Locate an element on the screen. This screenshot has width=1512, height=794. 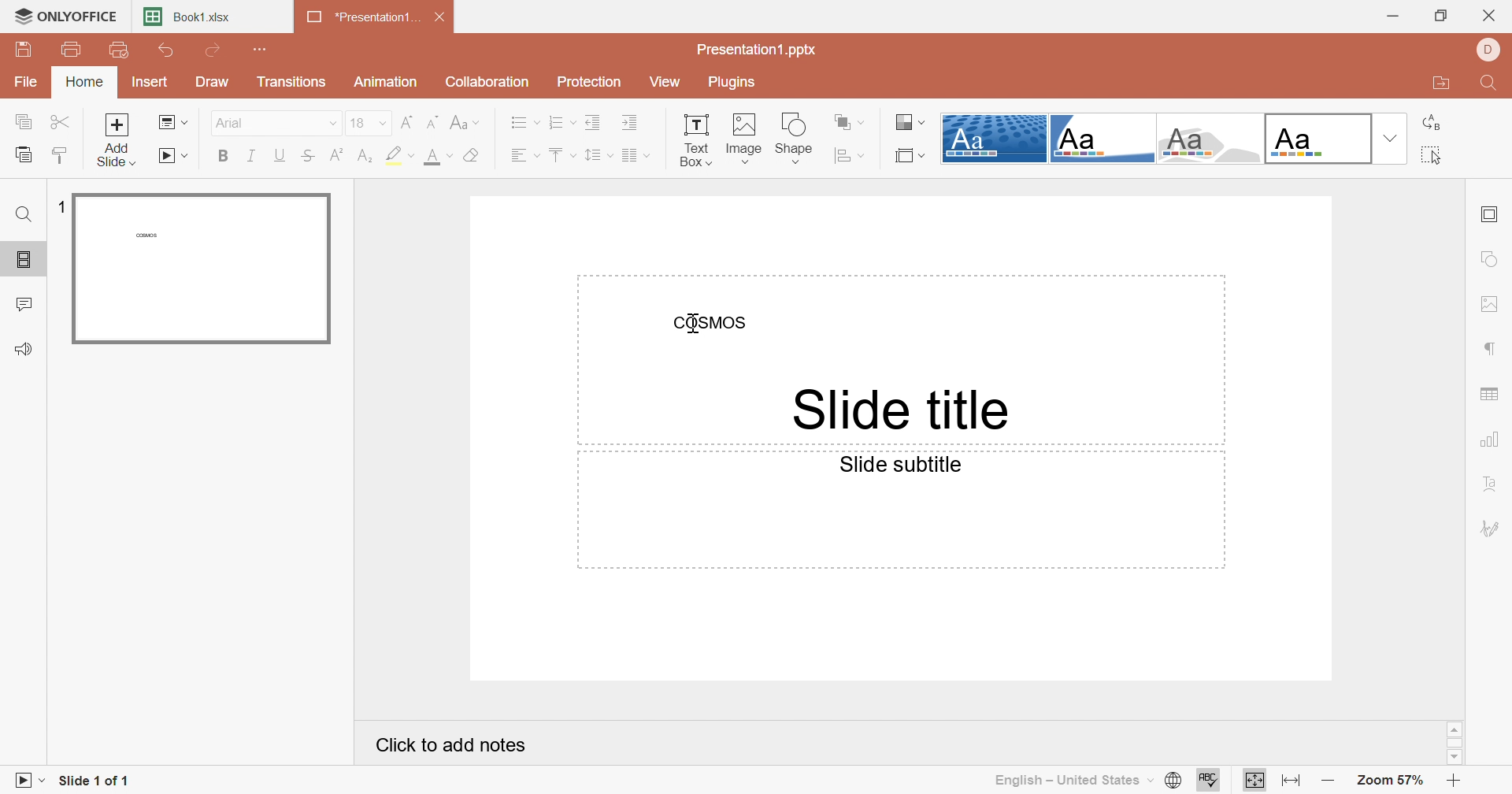
Zoom 57% is located at coordinates (1394, 780).